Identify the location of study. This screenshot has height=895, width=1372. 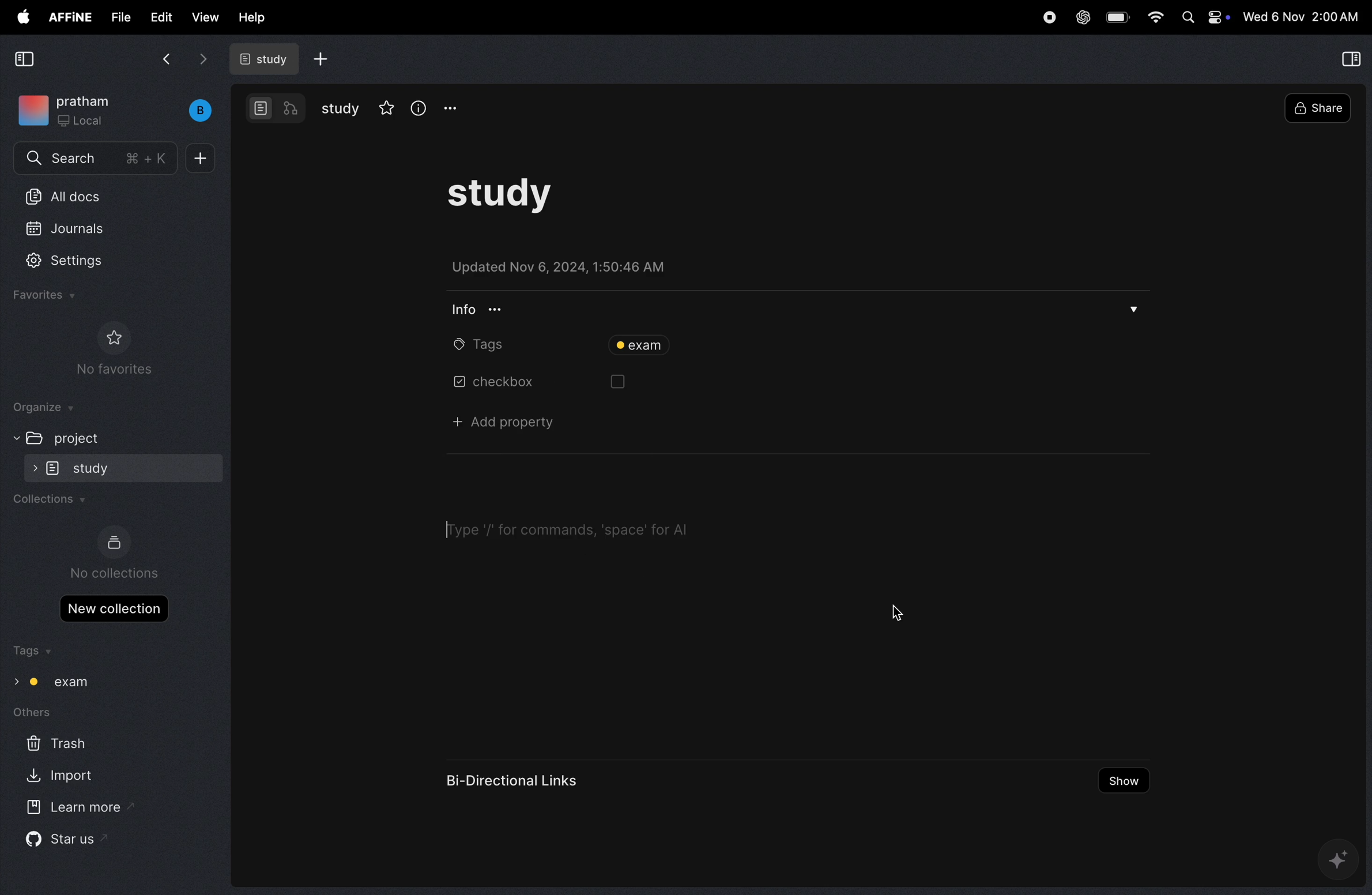
(342, 108).